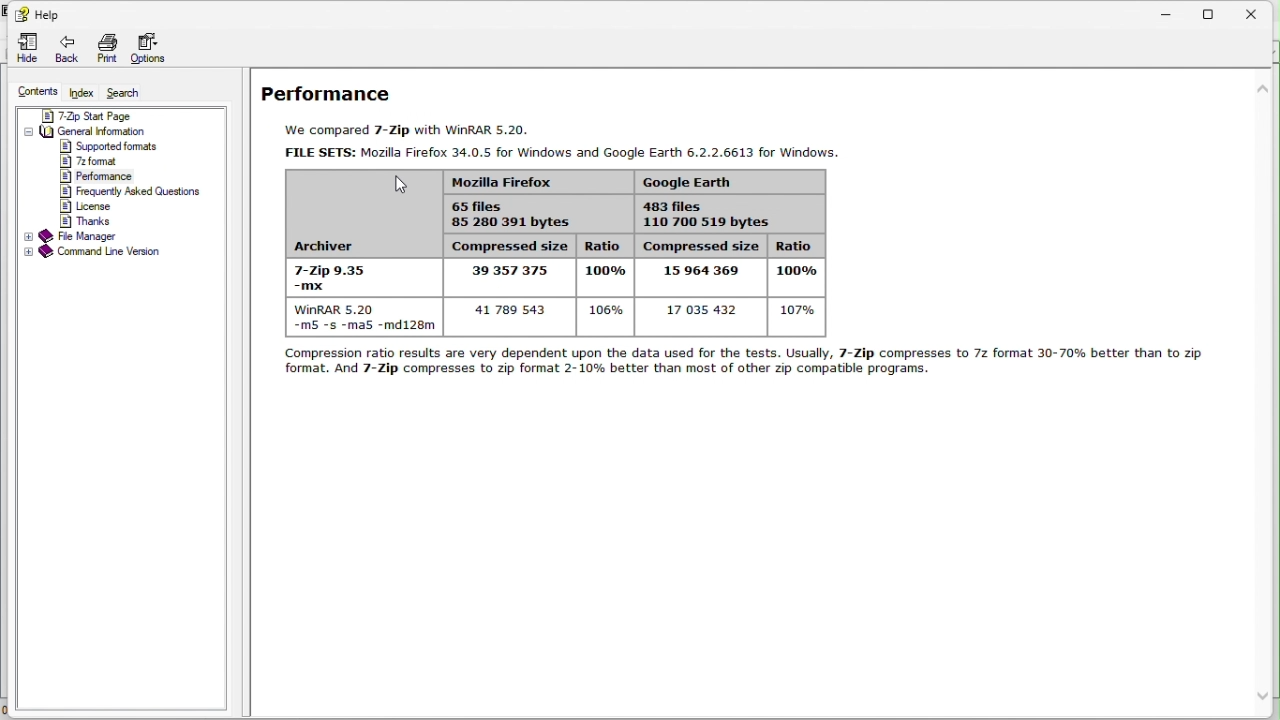 The height and width of the screenshot is (720, 1280). I want to click on File manager, so click(75, 236).